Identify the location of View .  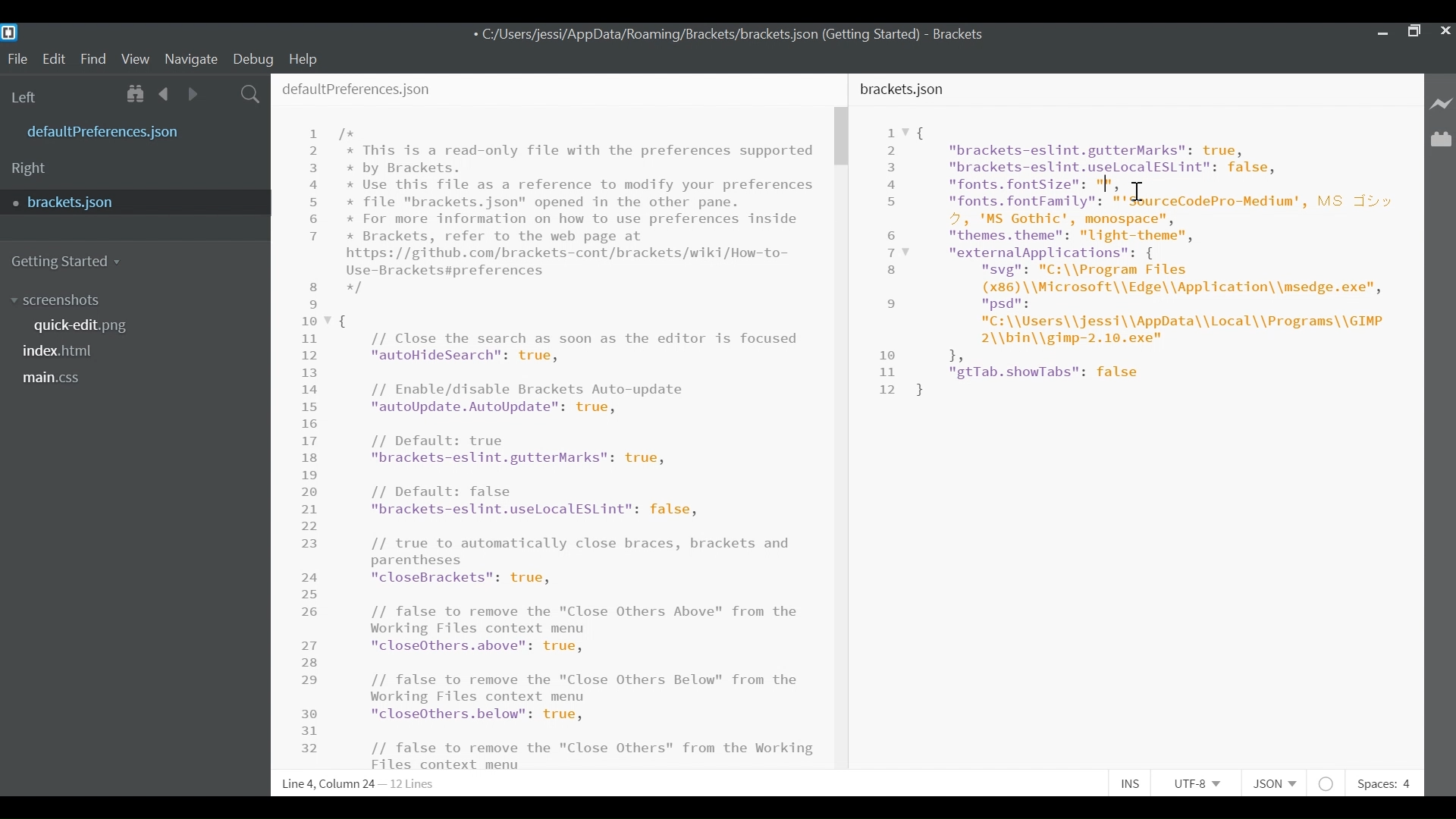
(136, 58).